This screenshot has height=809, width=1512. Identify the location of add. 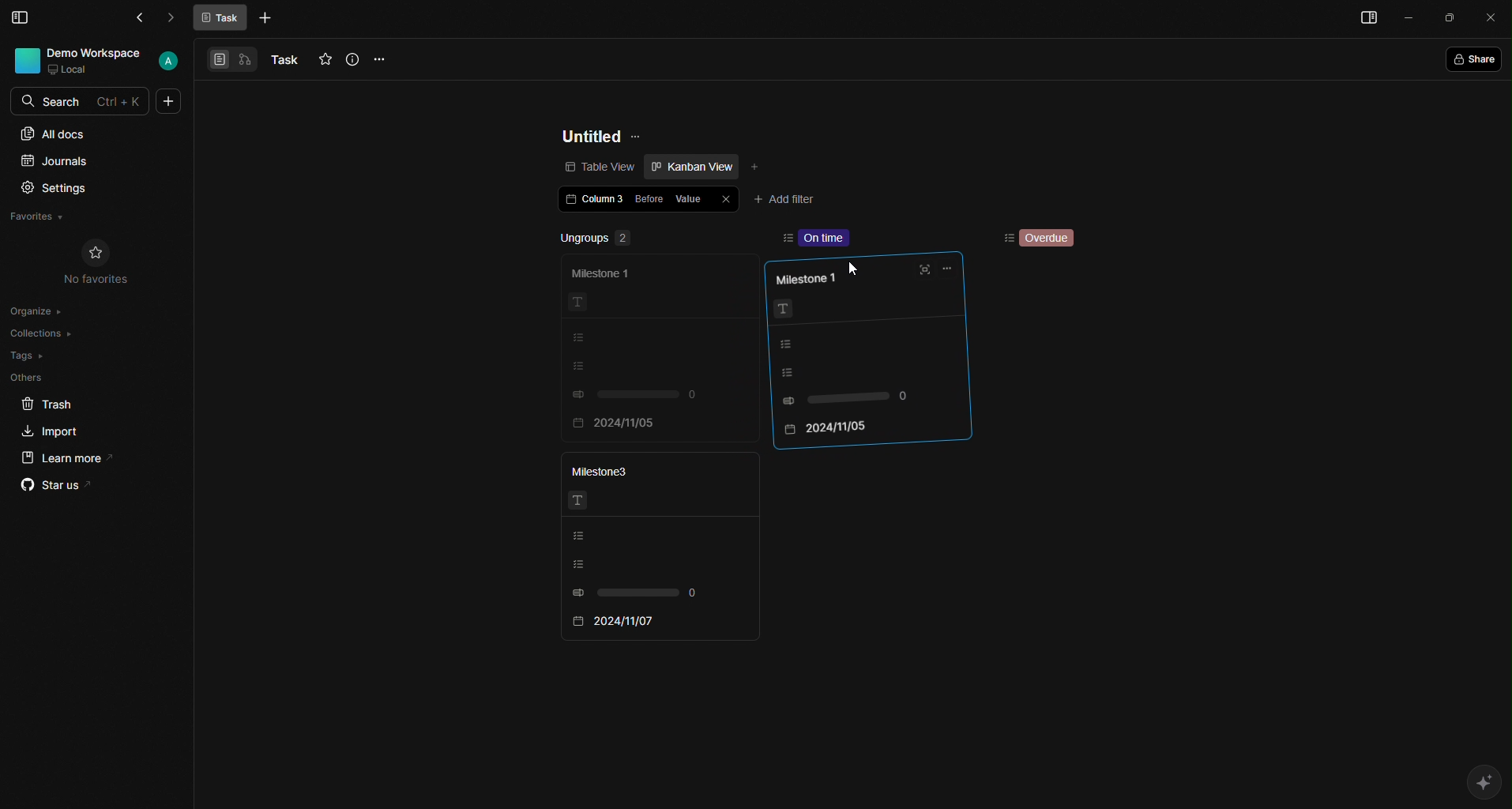
(731, 236).